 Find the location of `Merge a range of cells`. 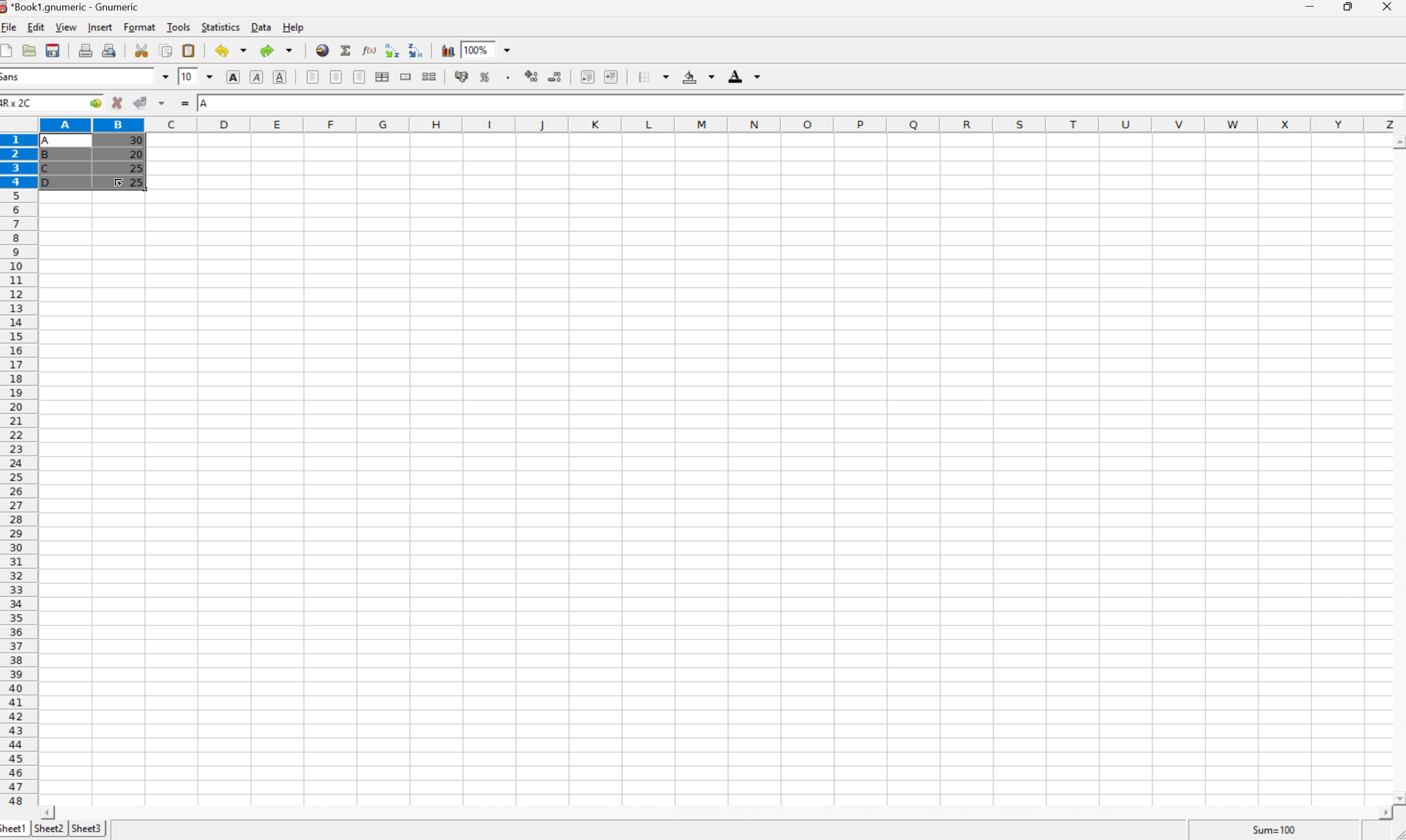

Merge a range of cells is located at coordinates (406, 78).